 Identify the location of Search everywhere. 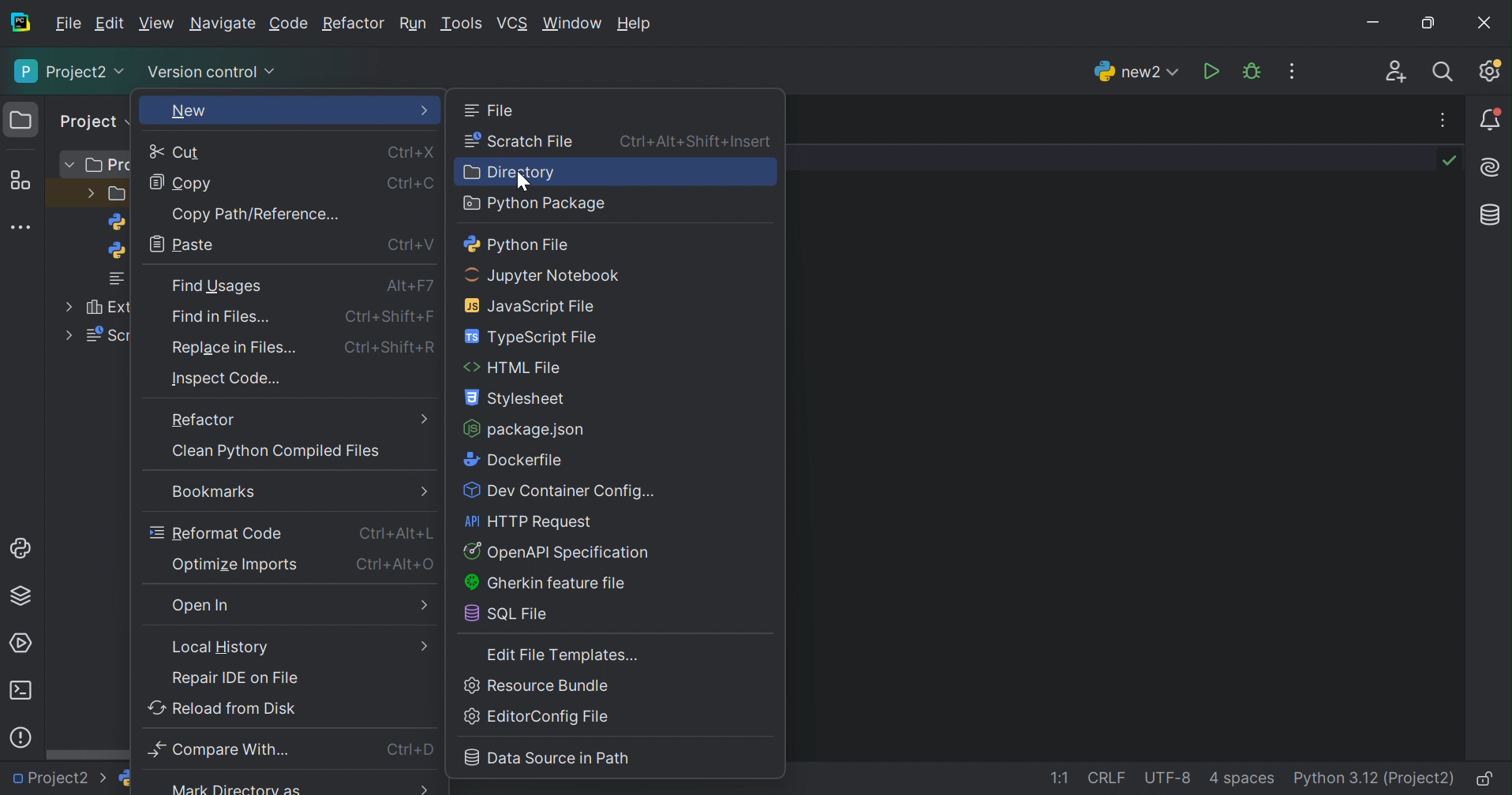
(1449, 73).